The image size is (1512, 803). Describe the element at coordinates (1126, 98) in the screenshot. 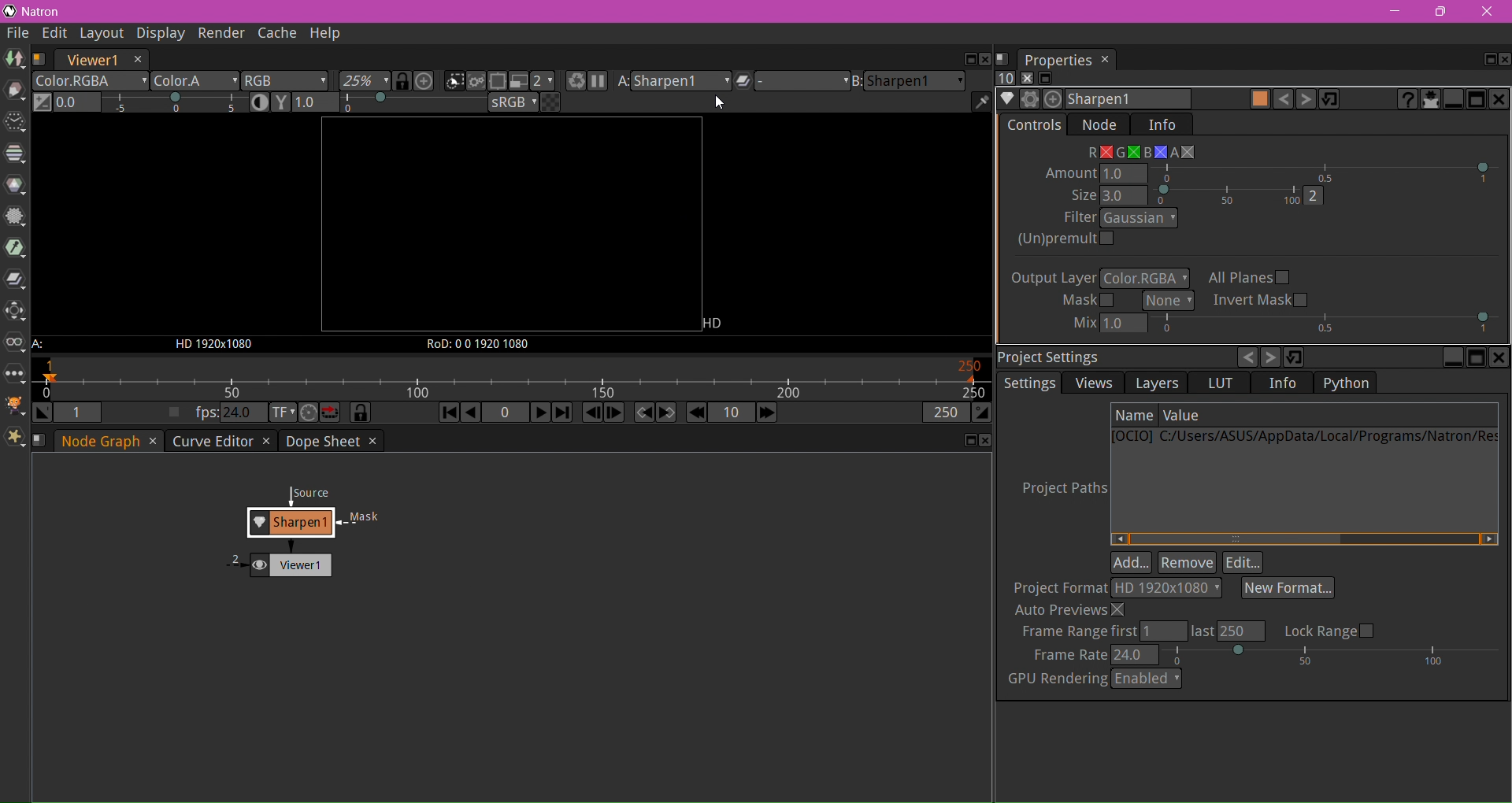

I see `Script name: Sharpen1` at that location.